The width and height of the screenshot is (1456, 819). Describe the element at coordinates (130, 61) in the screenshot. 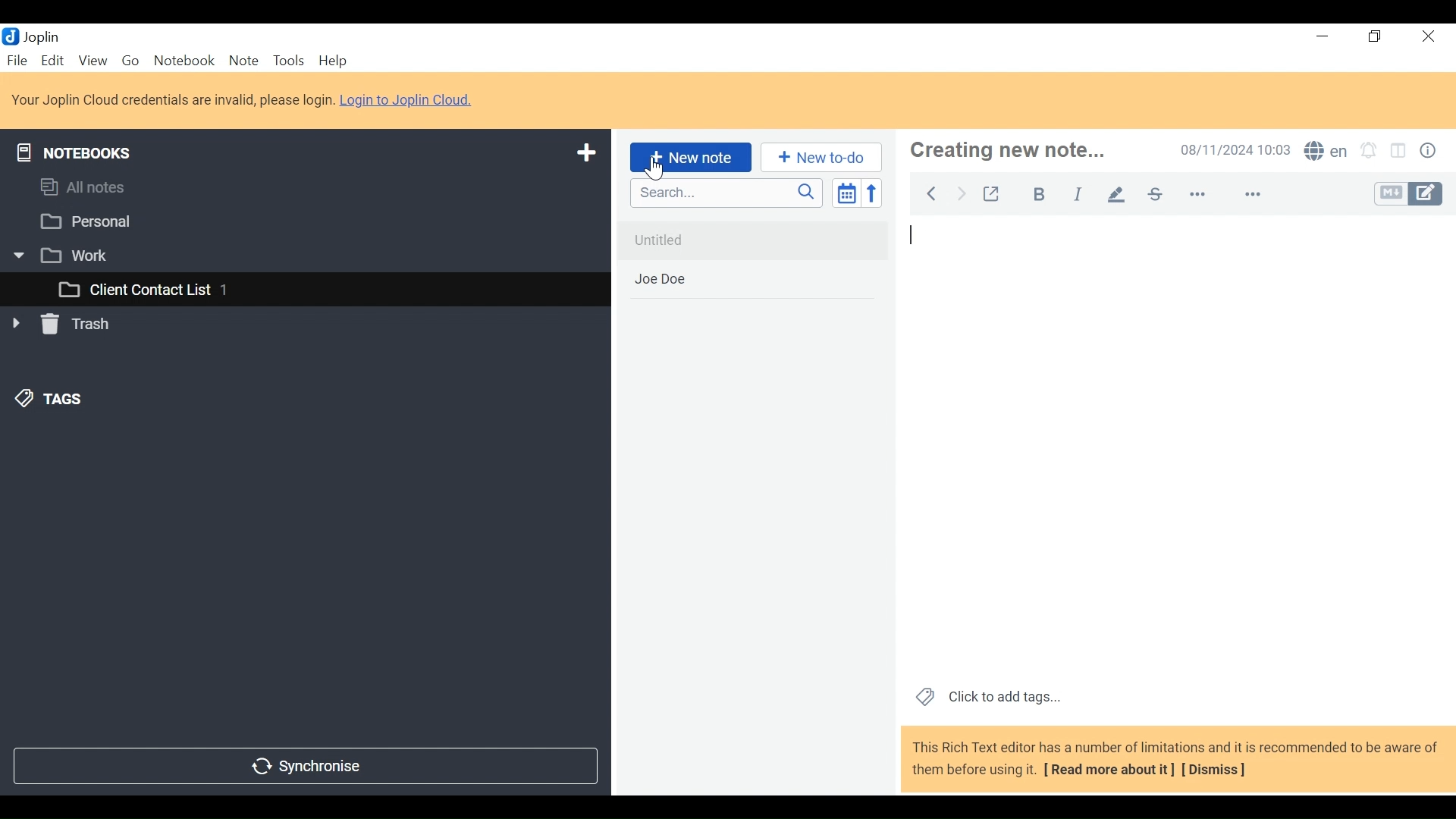

I see `Go` at that location.